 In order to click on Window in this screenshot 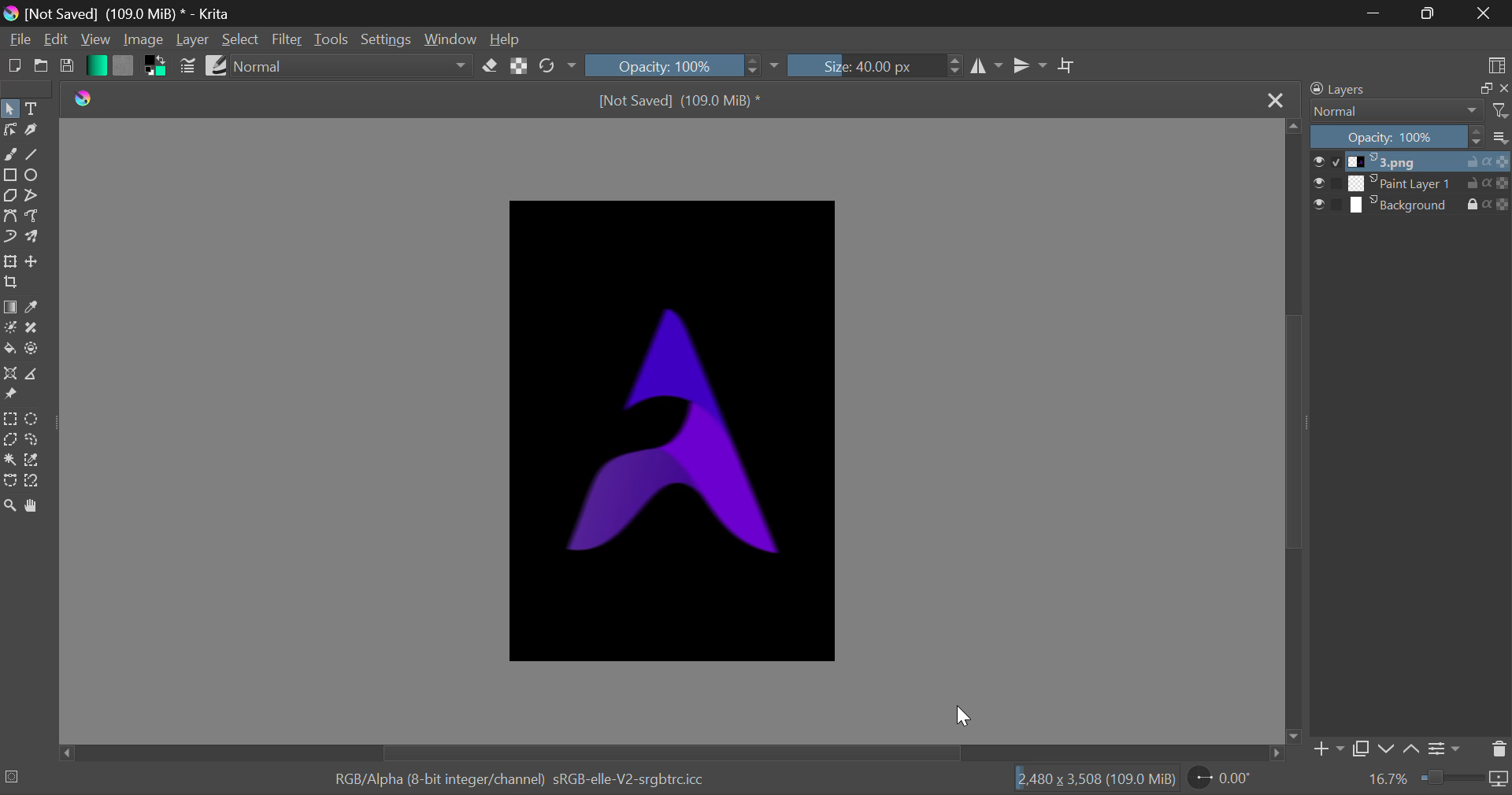, I will do `click(450, 39)`.